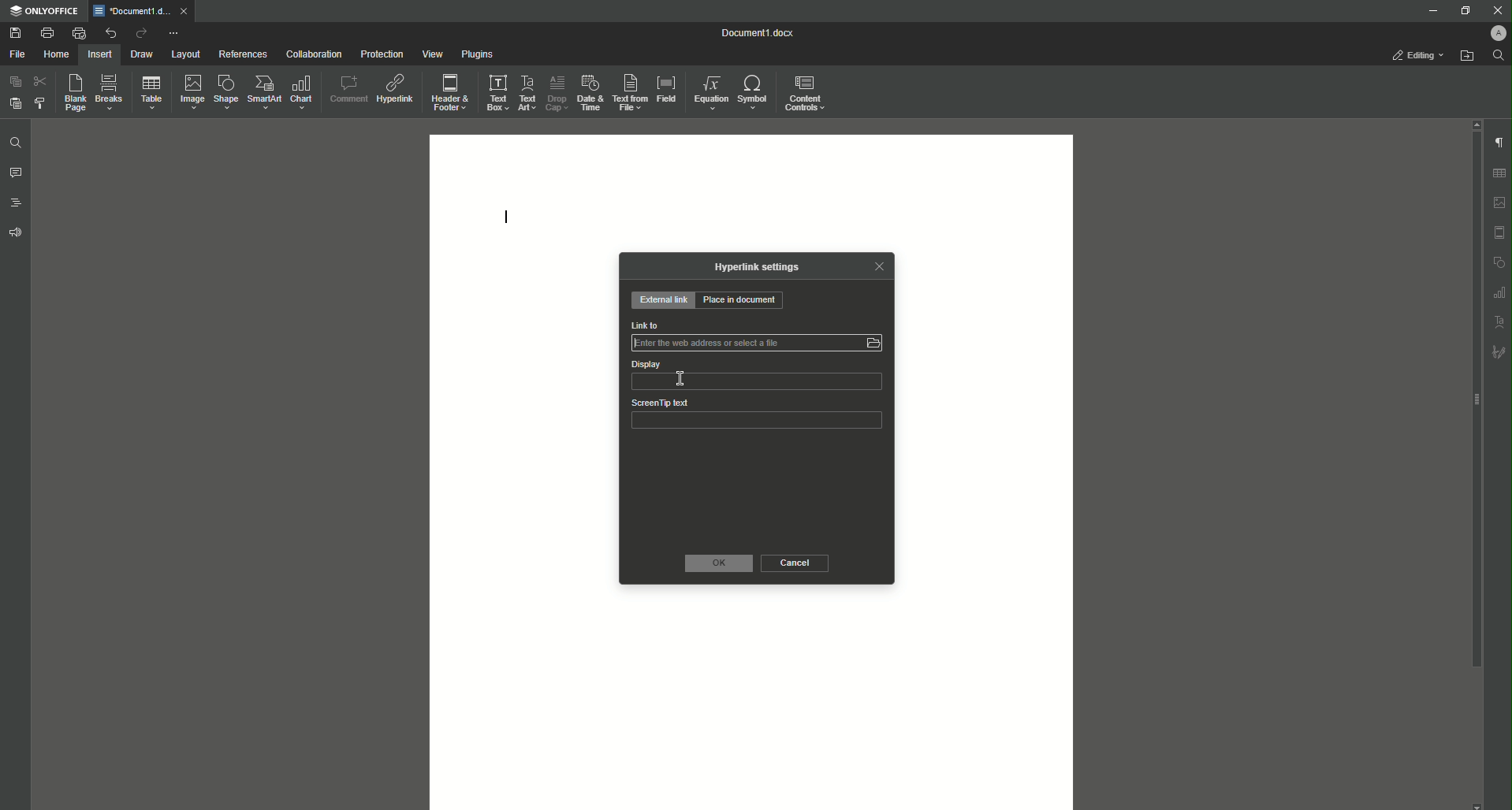  Describe the element at coordinates (504, 218) in the screenshot. I see `Text Line` at that location.